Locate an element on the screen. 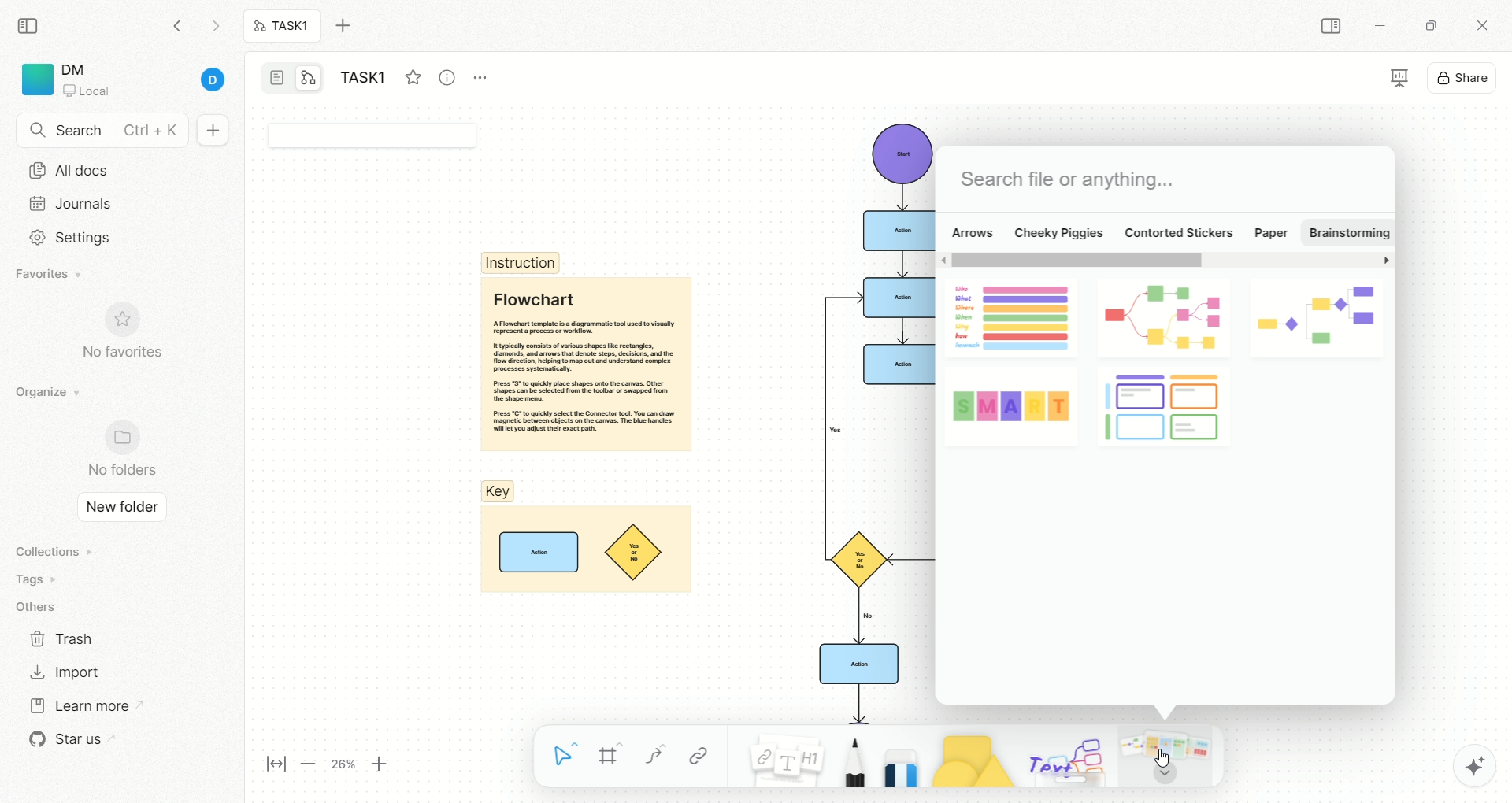 This screenshot has height=803, width=1512. task1 is located at coordinates (283, 28).